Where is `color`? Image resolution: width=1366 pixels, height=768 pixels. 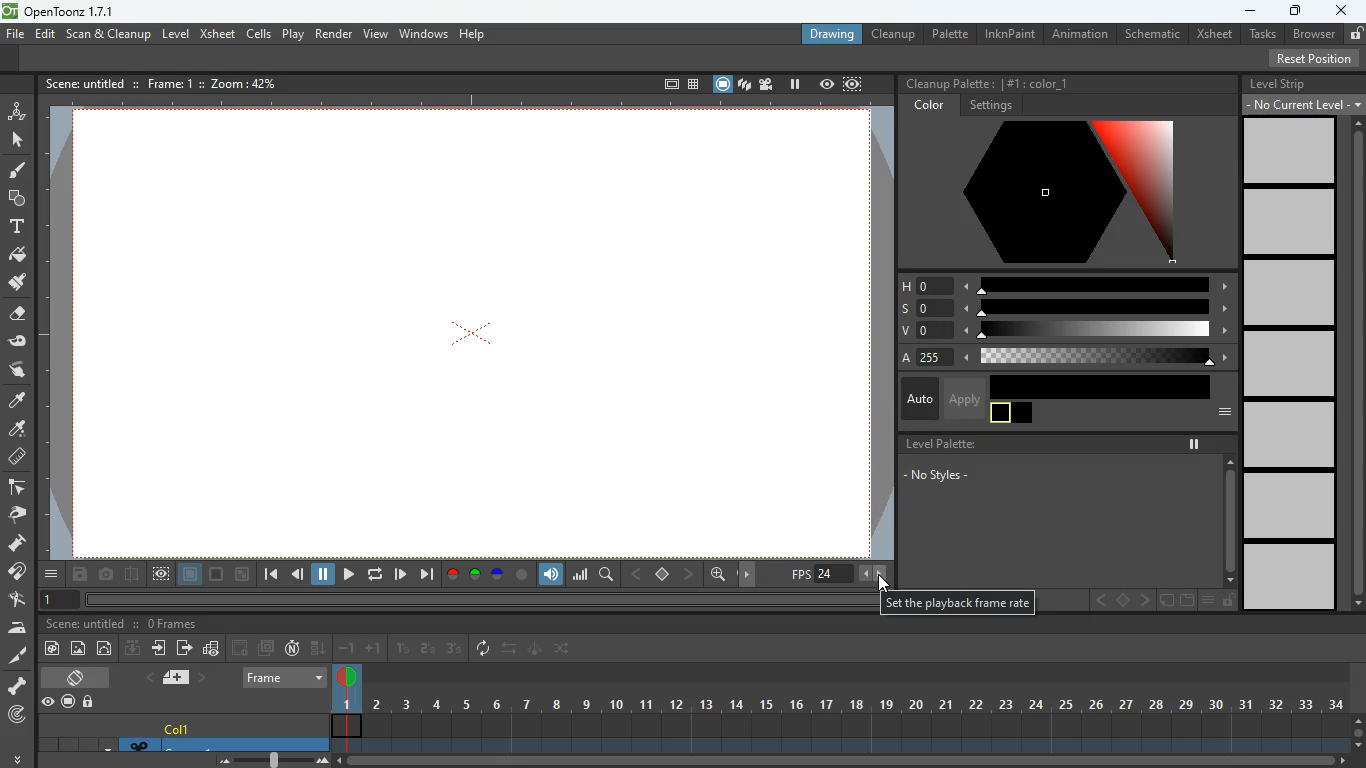 color is located at coordinates (522, 575).